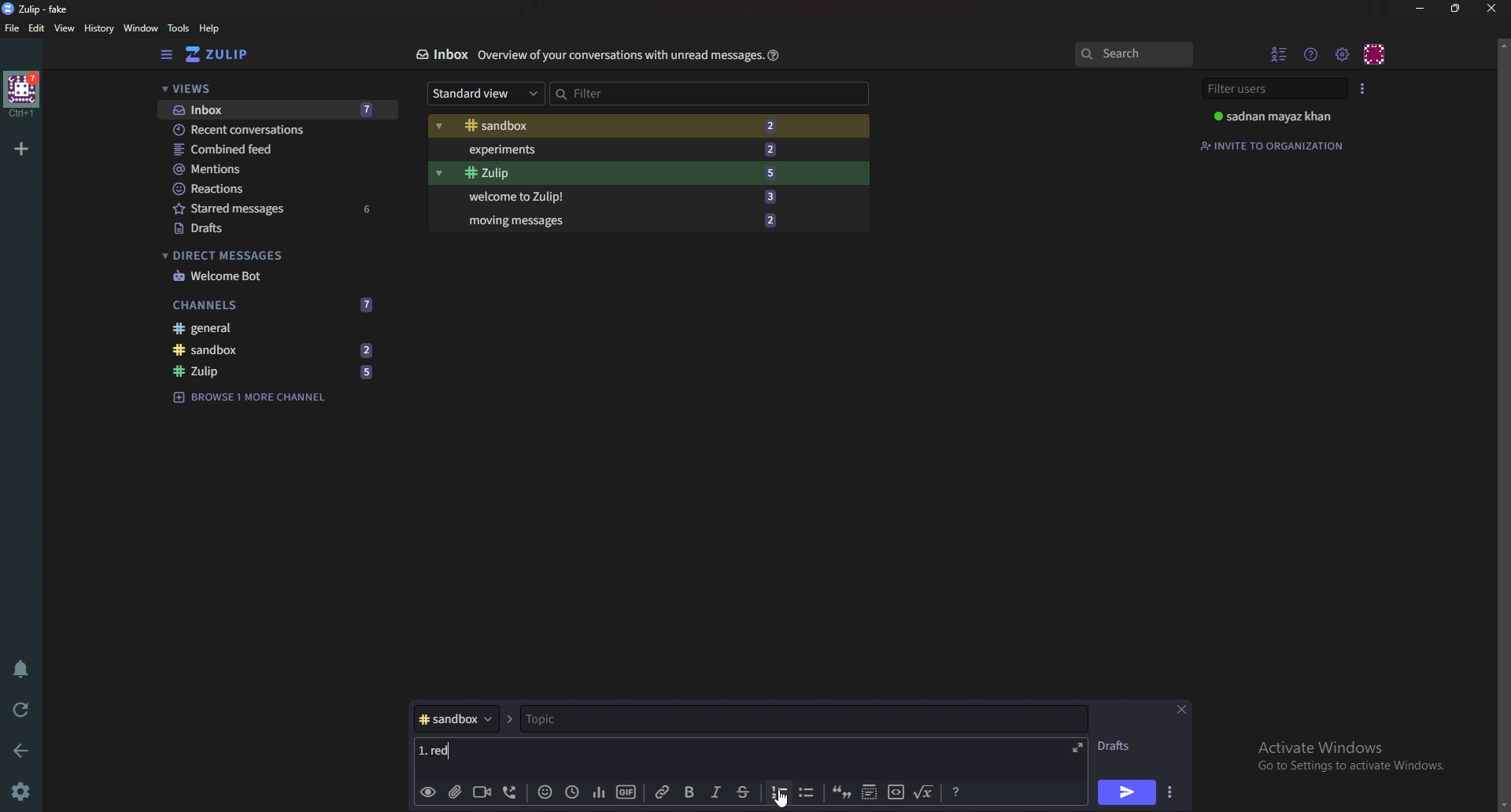  What do you see at coordinates (663, 792) in the screenshot?
I see `link` at bounding box center [663, 792].